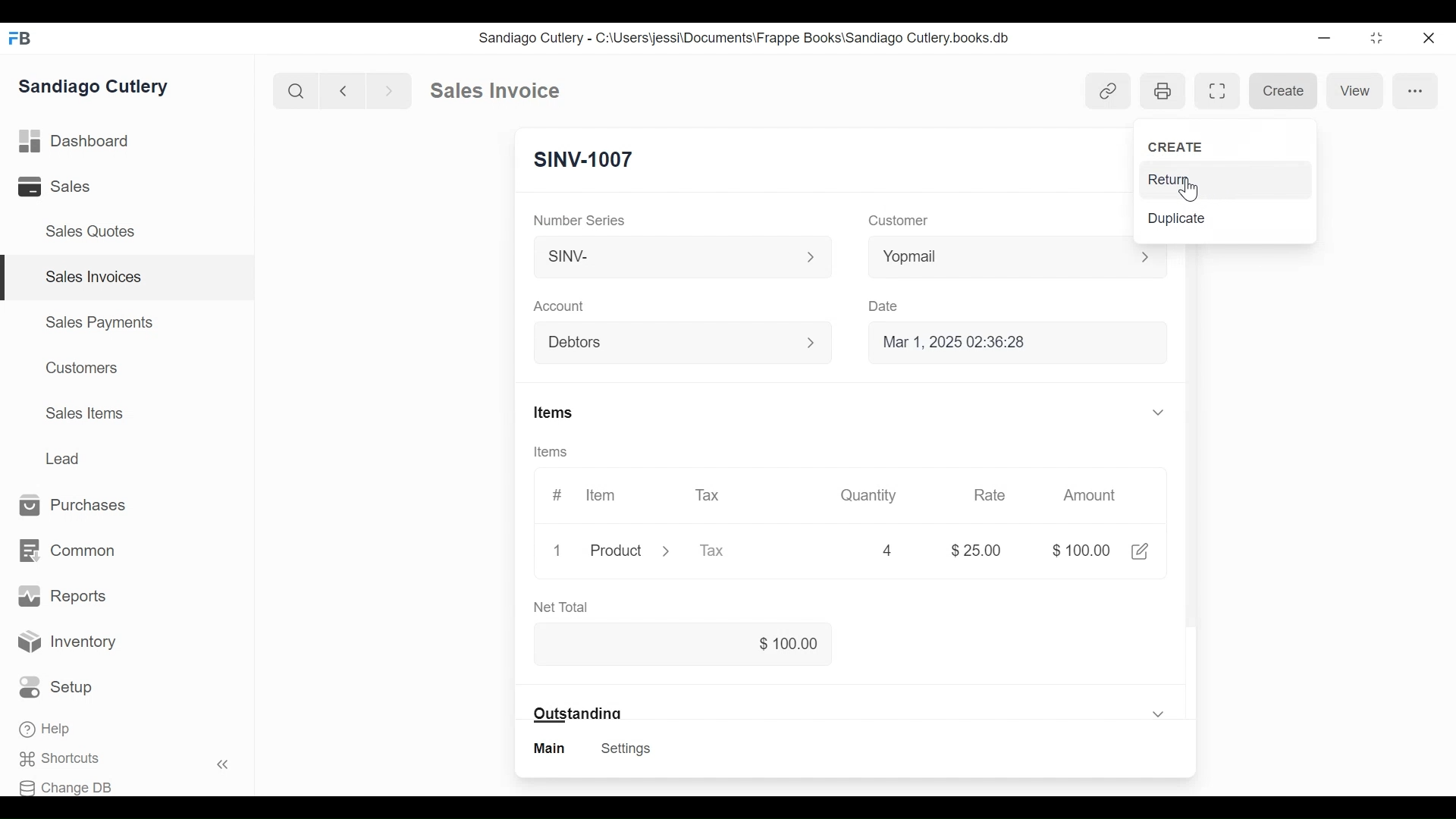  Describe the element at coordinates (94, 85) in the screenshot. I see `Sandiago Cutlery` at that location.